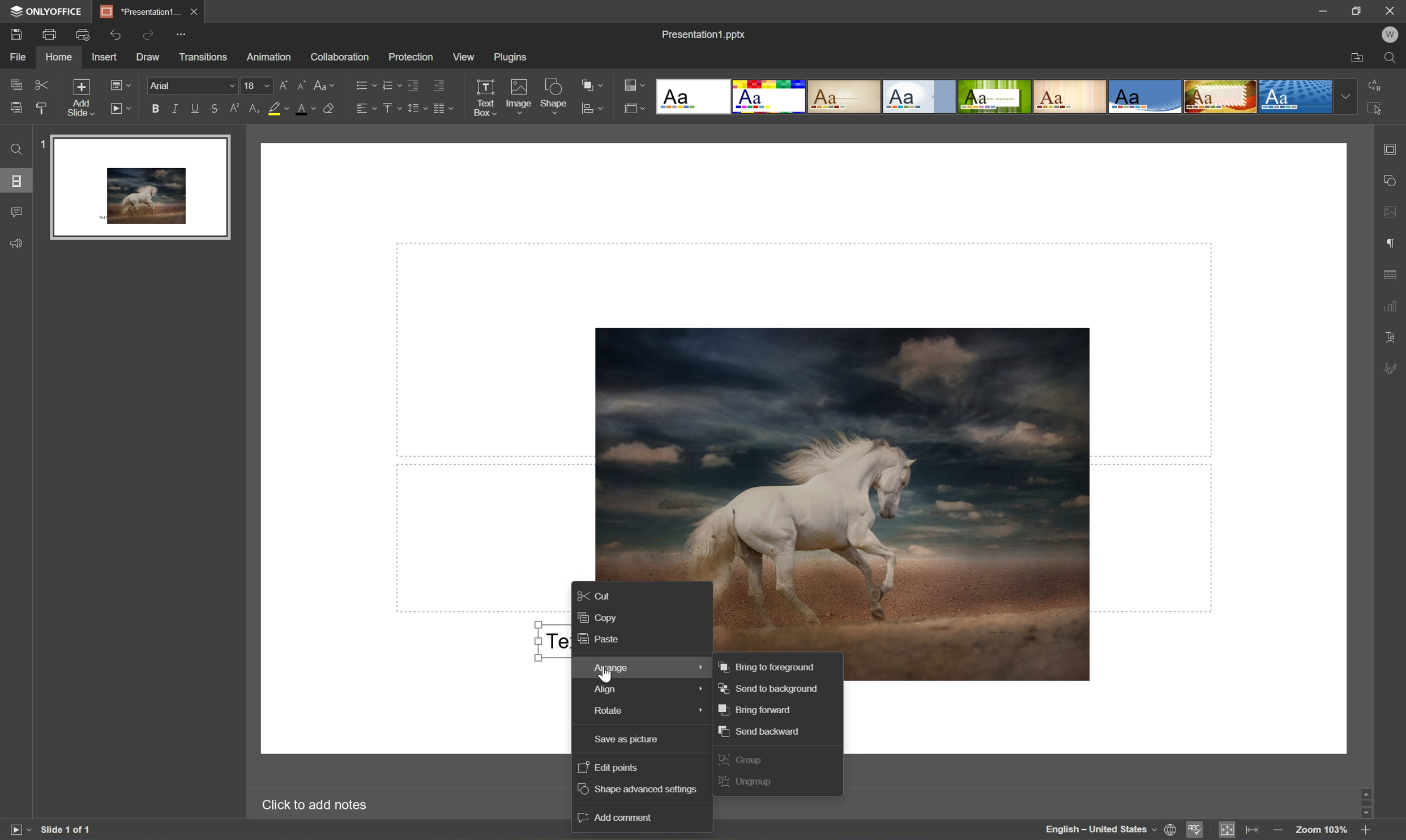  I want to click on Cut, so click(42, 84).